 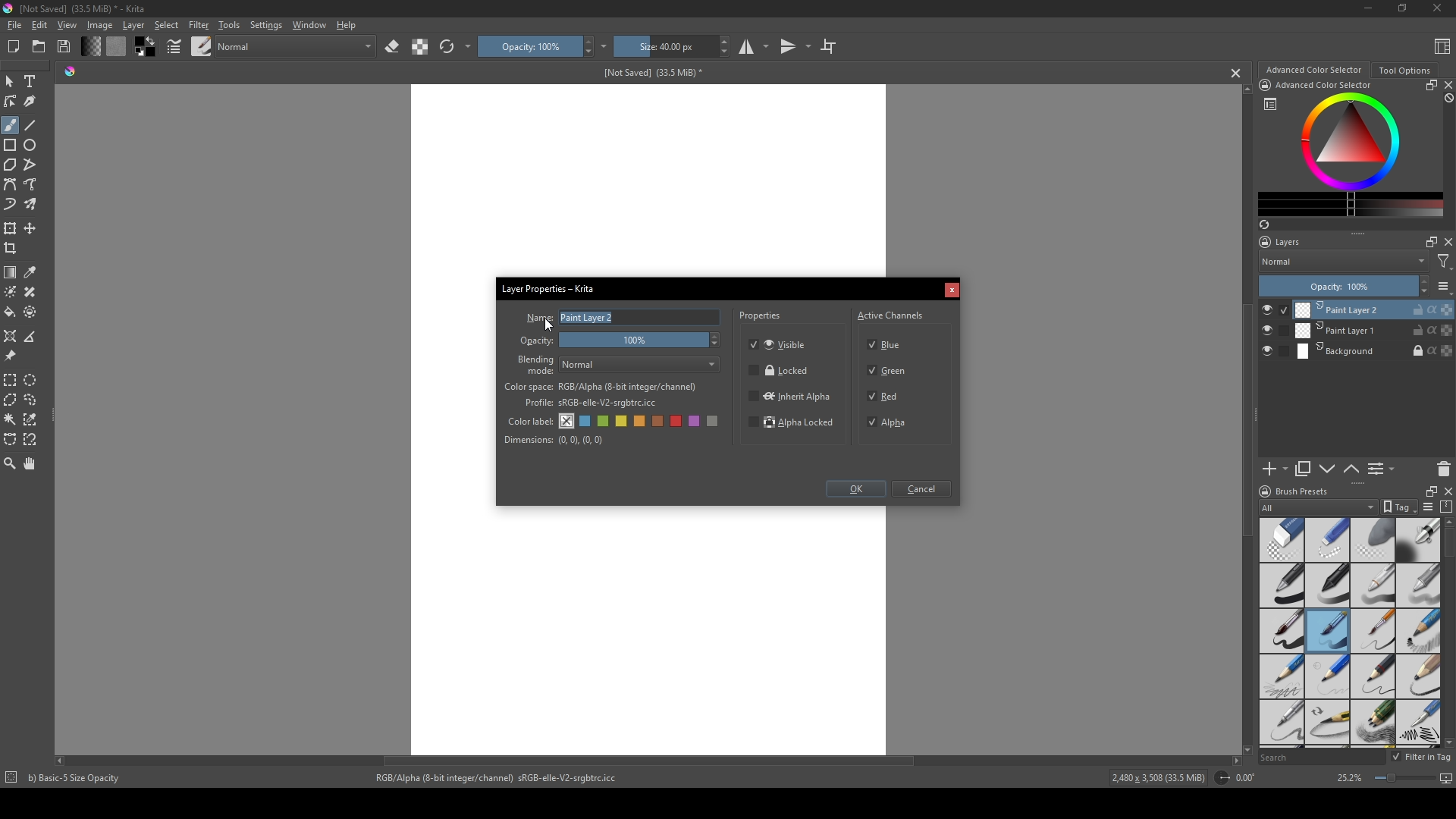 What do you see at coordinates (550, 324) in the screenshot?
I see `cursor` at bounding box center [550, 324].